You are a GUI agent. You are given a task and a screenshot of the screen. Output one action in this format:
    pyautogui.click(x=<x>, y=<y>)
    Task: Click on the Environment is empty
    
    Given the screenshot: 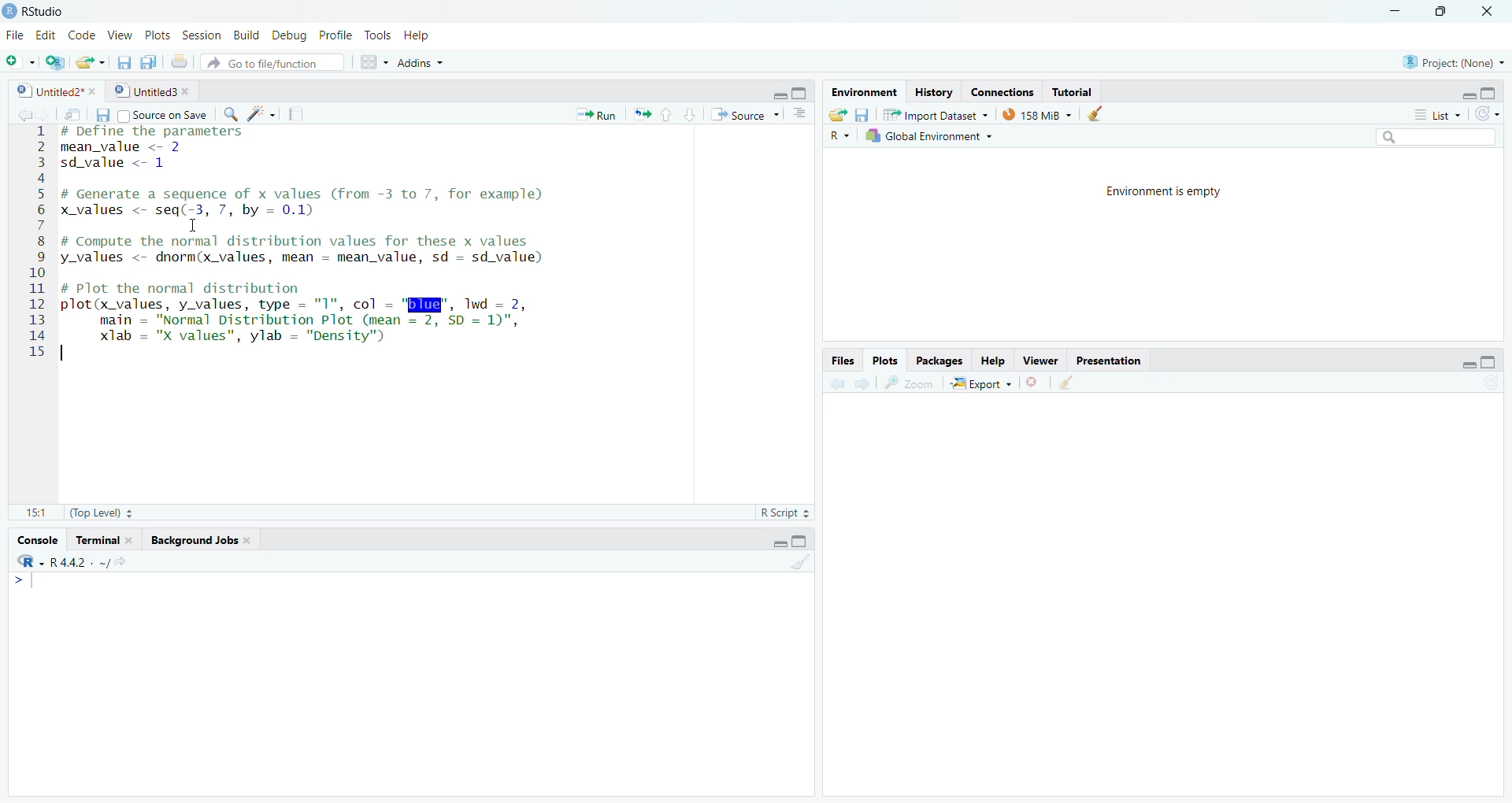 What is the action you would take?
    pyautogui.click(x=1159, y=191)
    